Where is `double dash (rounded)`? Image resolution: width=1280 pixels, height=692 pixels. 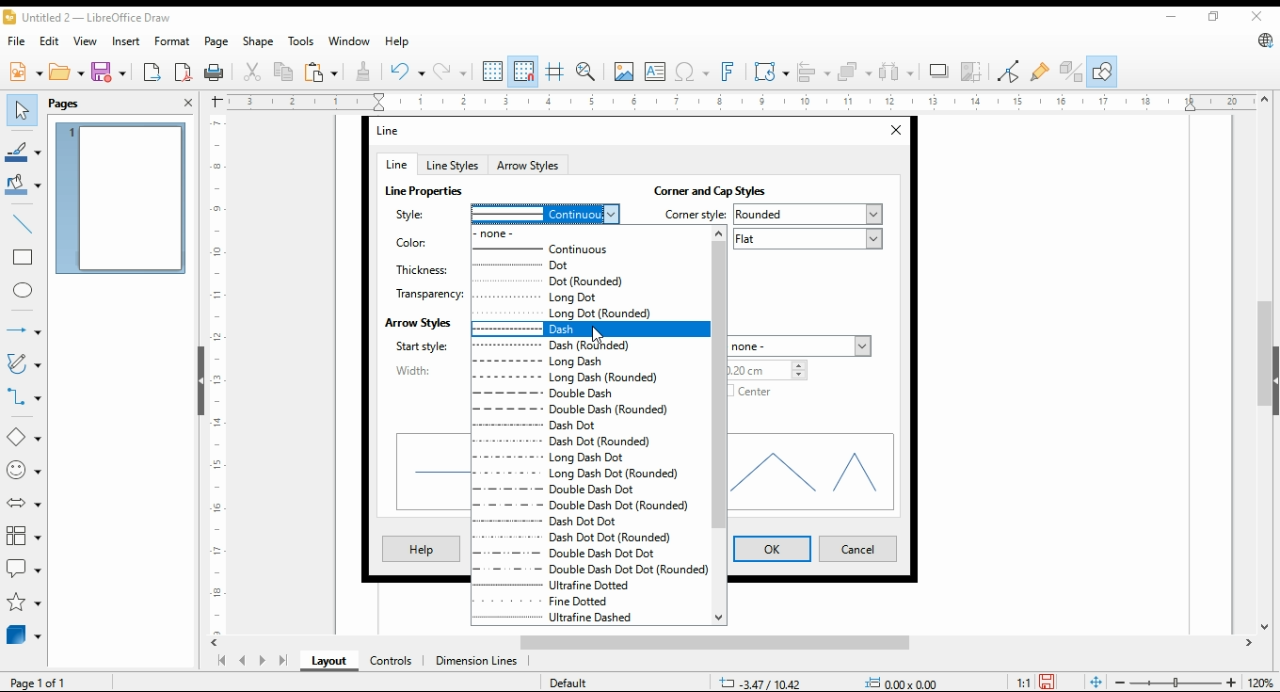
double dash (rounded) is located at coordinates (584, 412).